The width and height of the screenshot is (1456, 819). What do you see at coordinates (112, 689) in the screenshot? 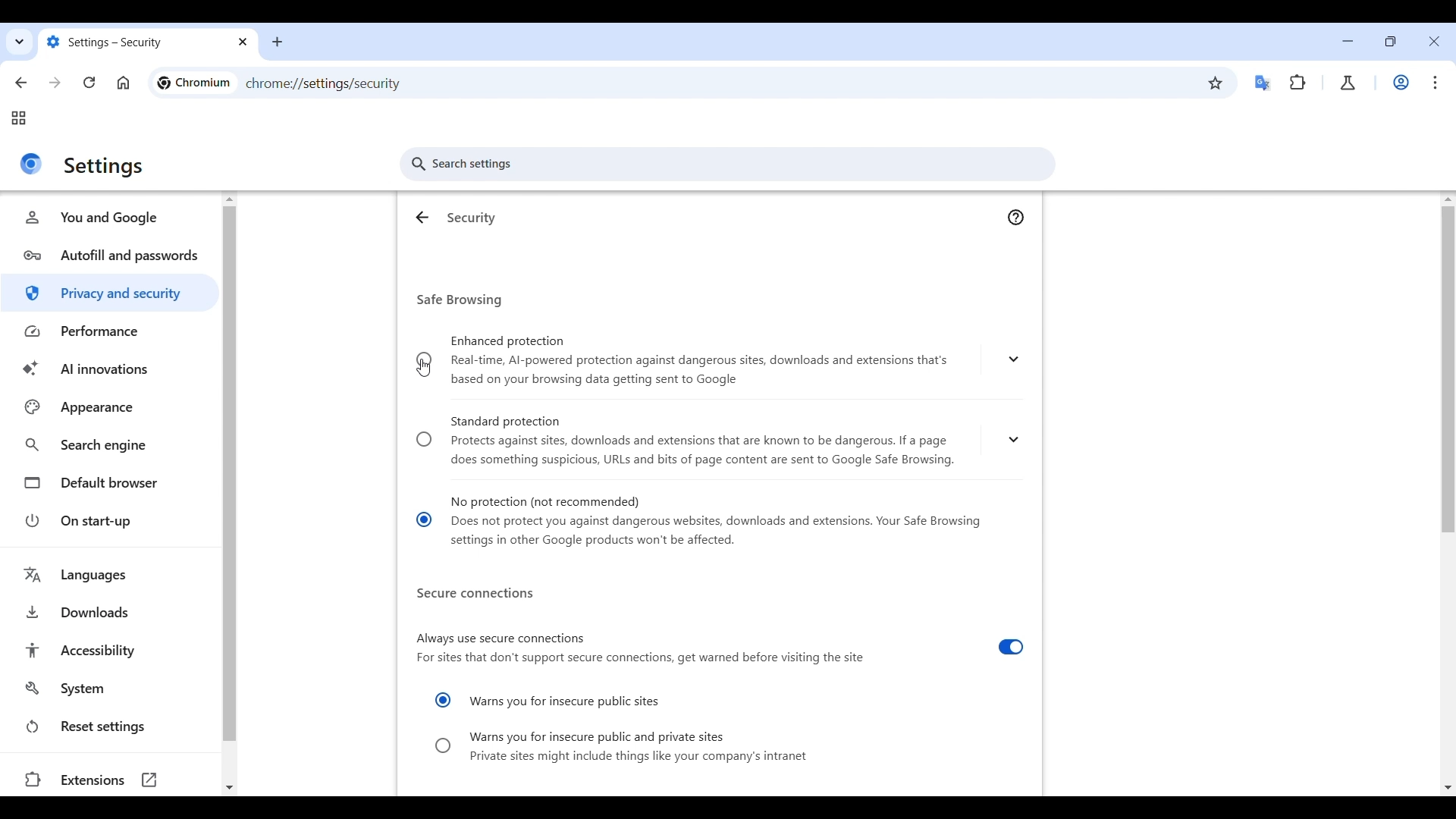
I see `System` at bounding box center [112, 689].